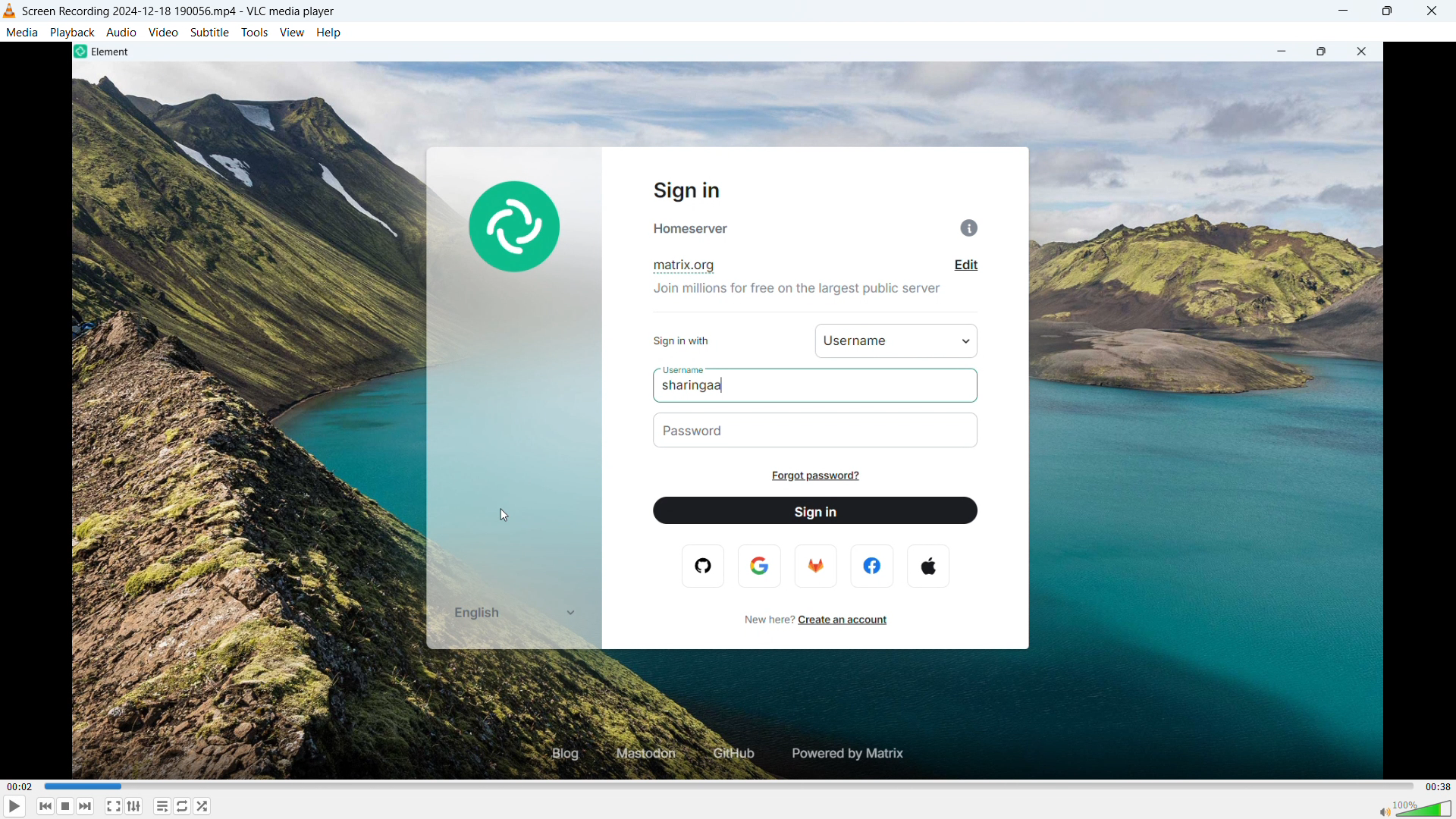  Describe the element at coordinates (122, 31) in the screenshot. I see `audio` at that location.